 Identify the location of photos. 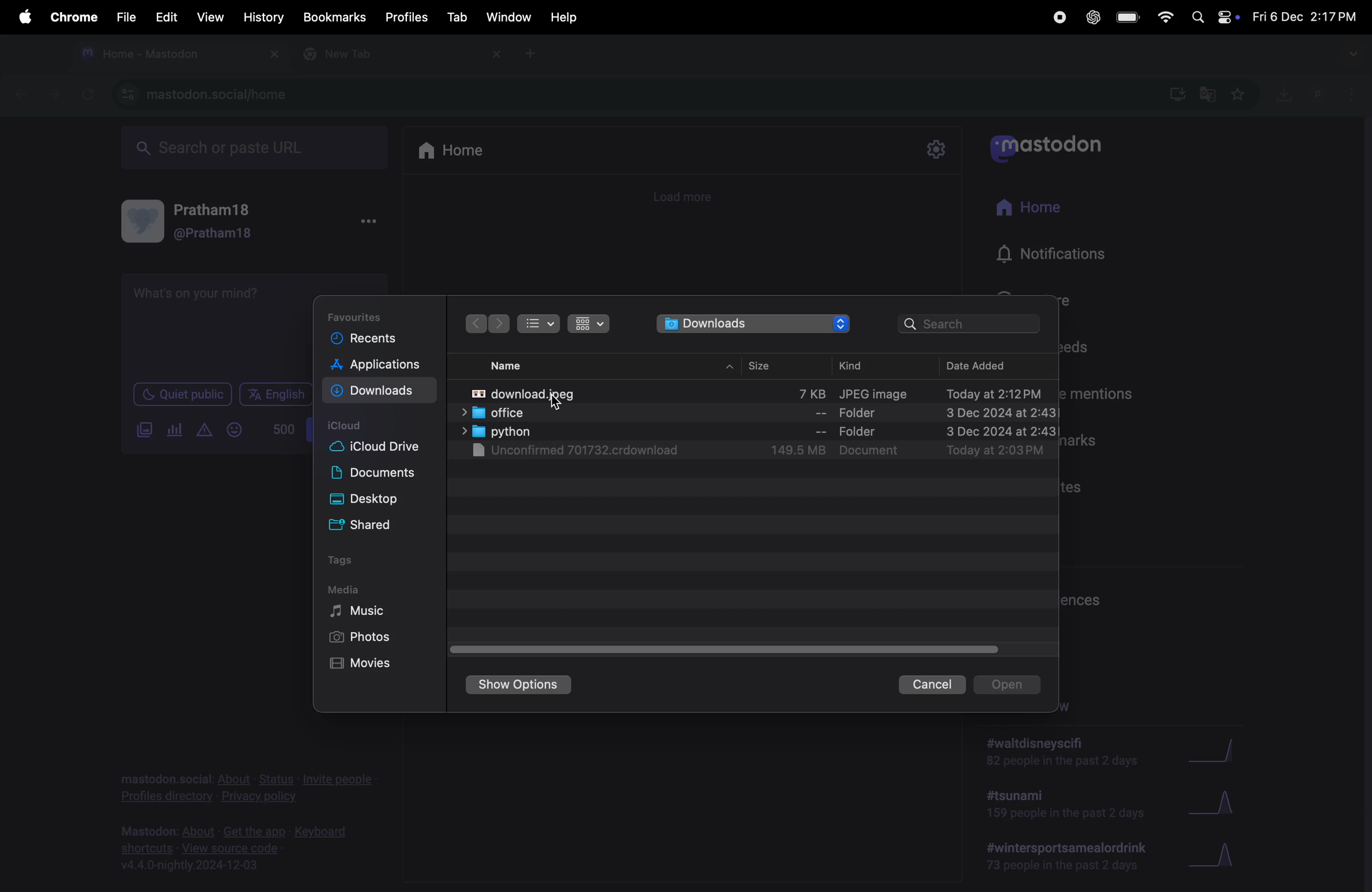
(357, 638).